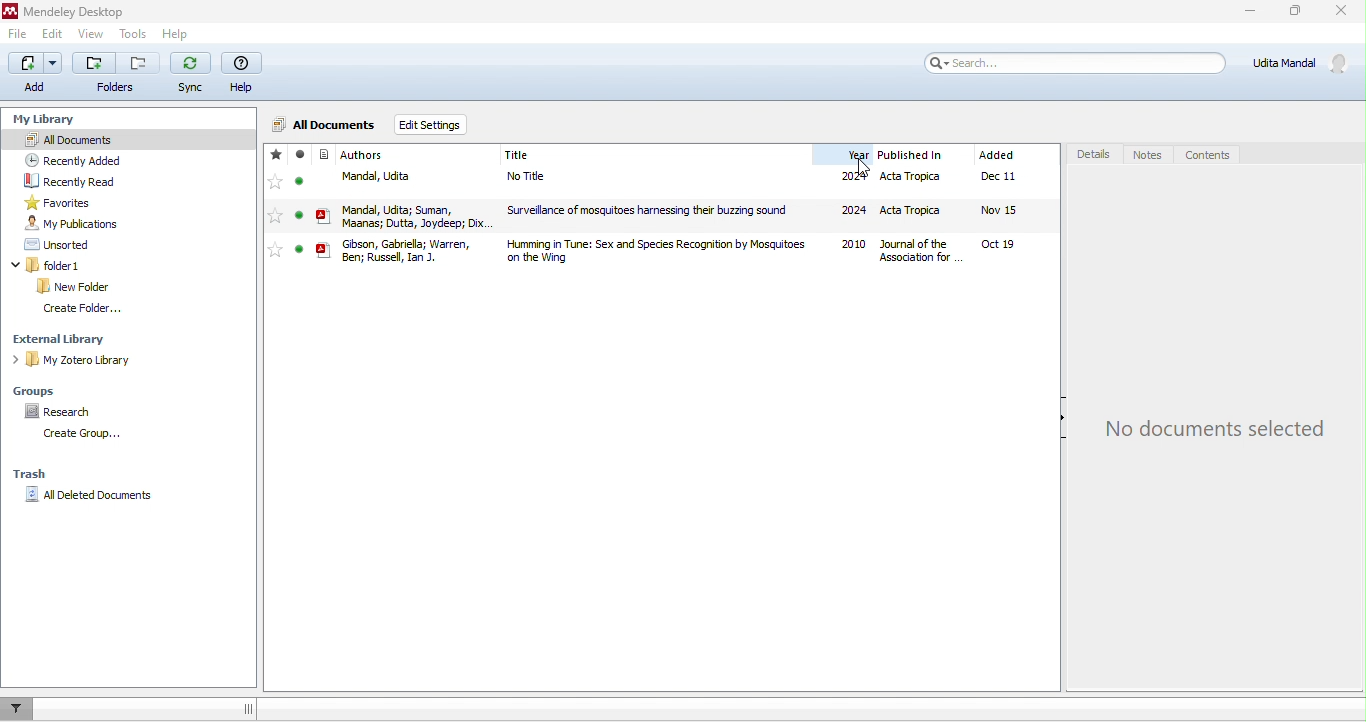 This screenshot has width=1366, height=722. Describe the element at coordinates (64, 266) in the screenshot. I see `folder1` at that location.